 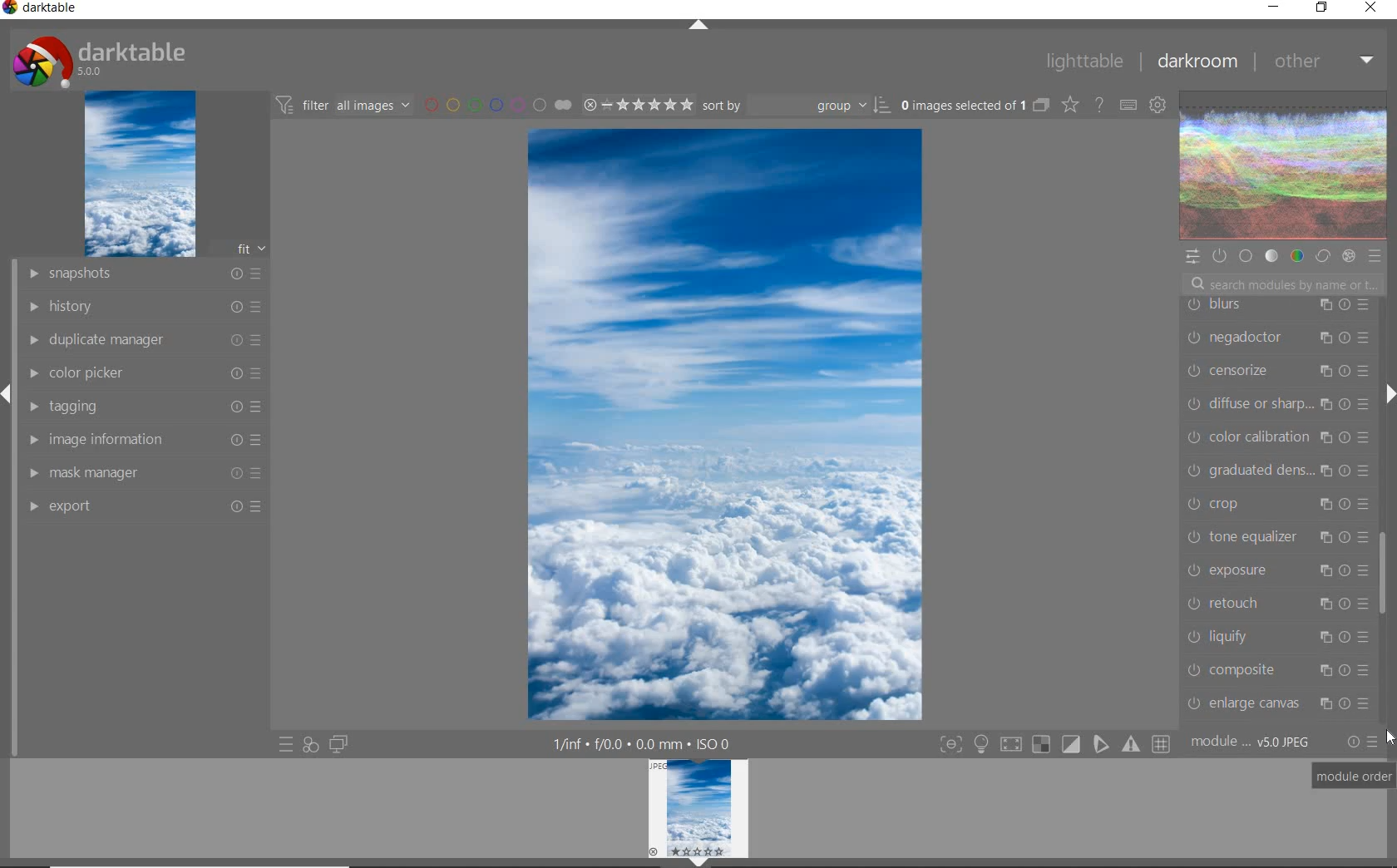 I want to click on CURSOR POSITION, so click(x=1390, y=737).